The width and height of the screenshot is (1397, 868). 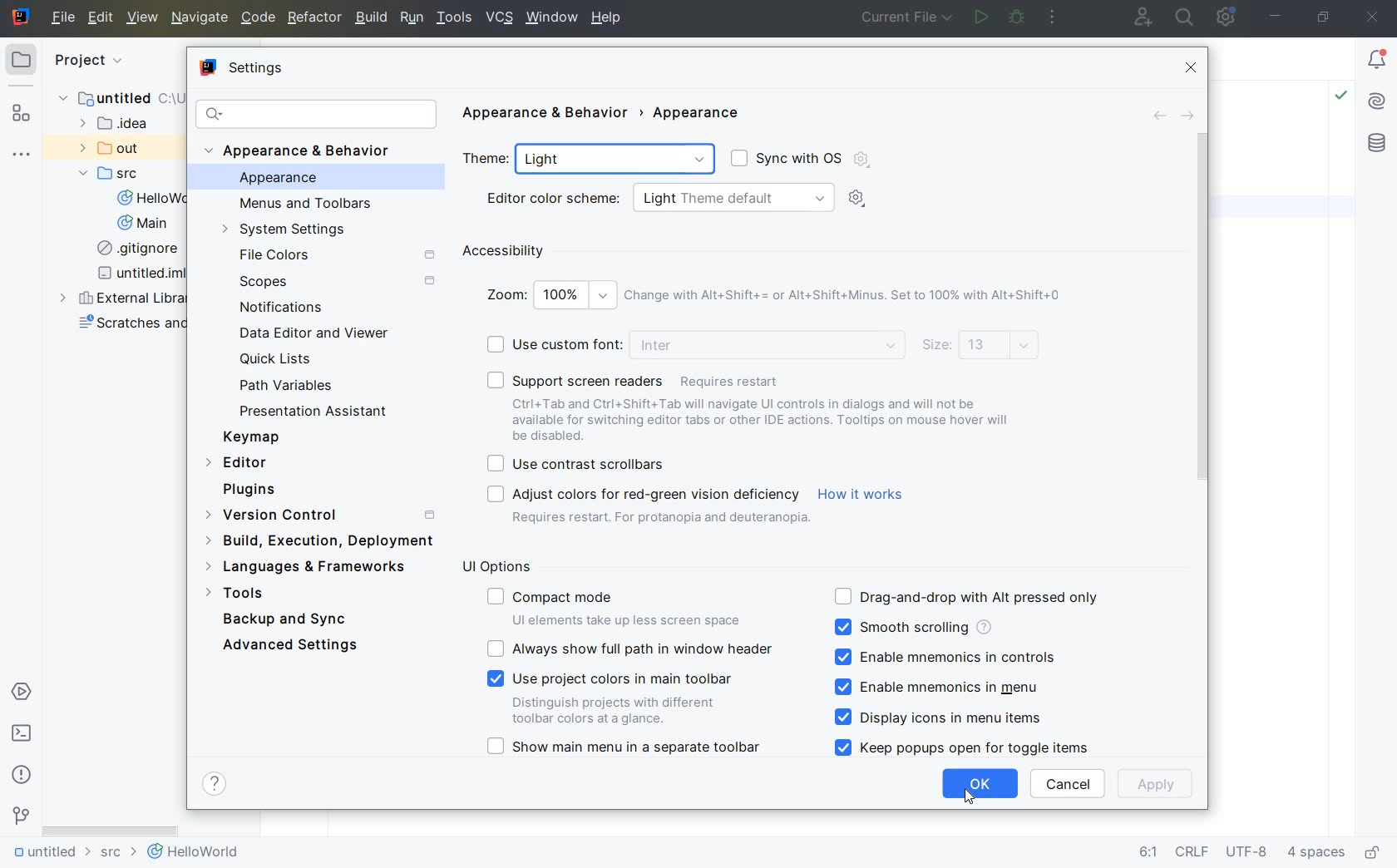 I want to click on DEBUG, so click(x=1018, y=17).